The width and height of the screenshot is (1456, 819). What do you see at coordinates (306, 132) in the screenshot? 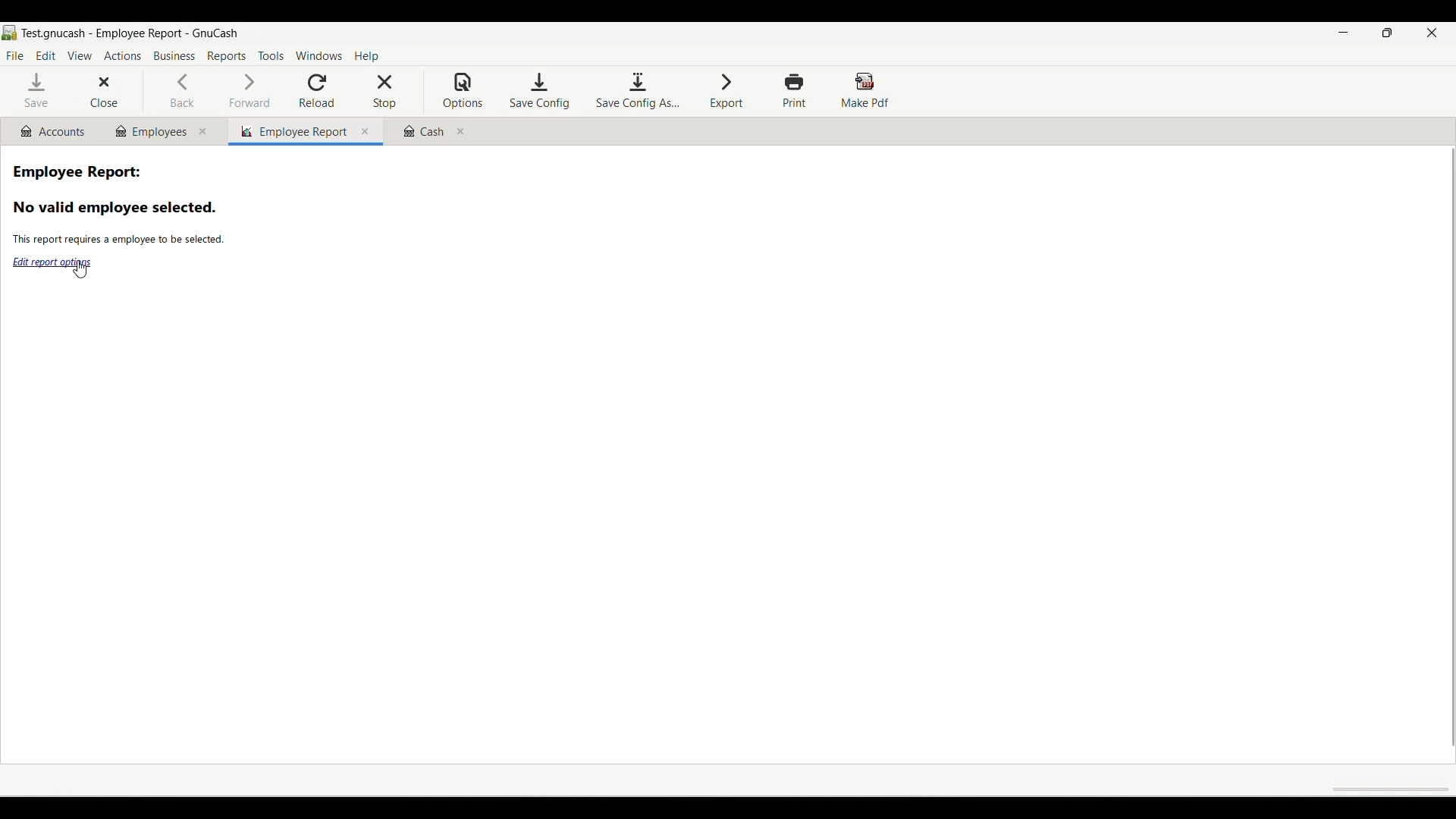
I see `Current/Employee tab` at bounding box center [306, 132].